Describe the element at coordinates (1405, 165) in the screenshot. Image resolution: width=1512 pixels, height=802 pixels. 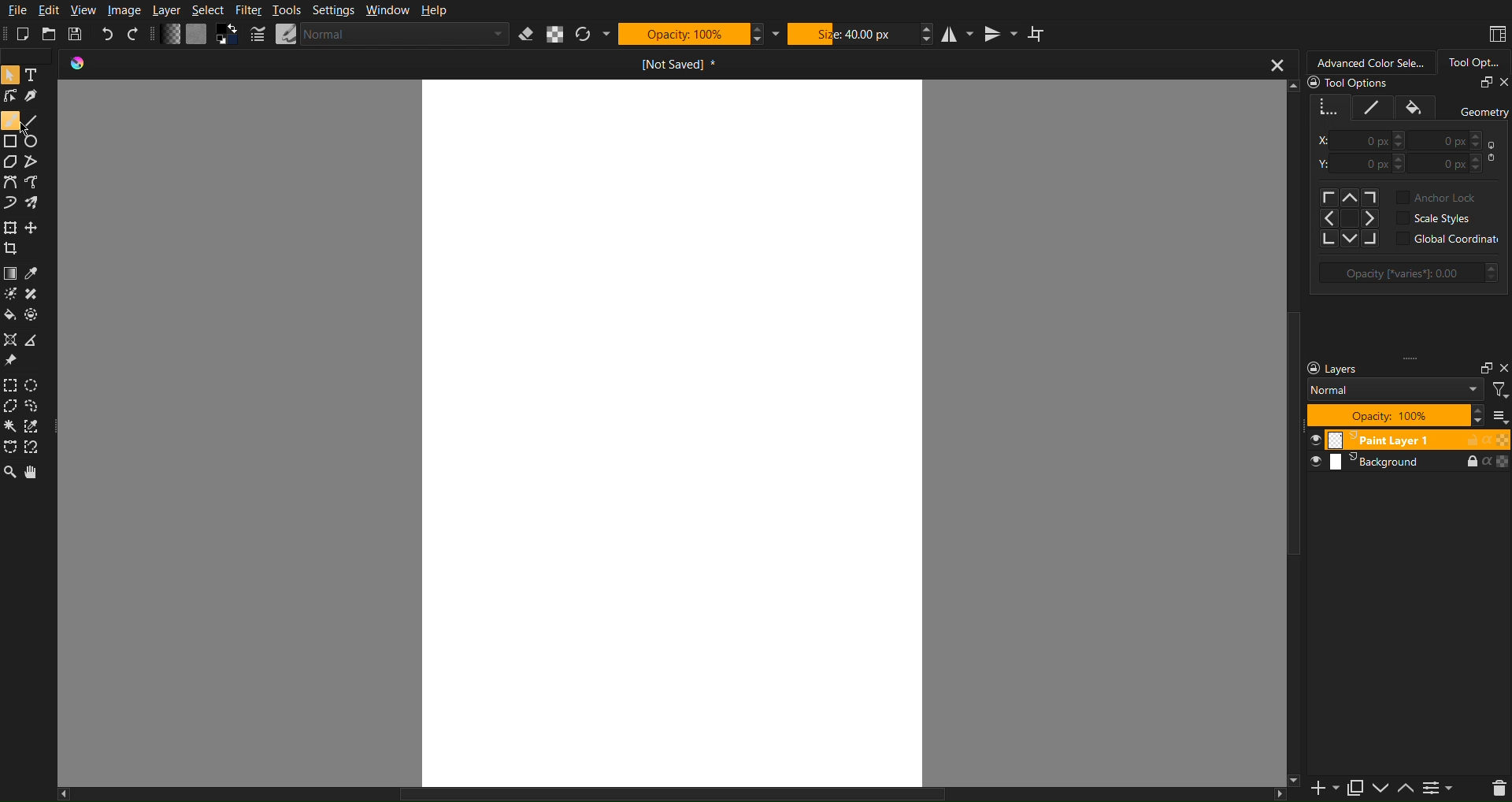
I see `Y Coords` at that location.